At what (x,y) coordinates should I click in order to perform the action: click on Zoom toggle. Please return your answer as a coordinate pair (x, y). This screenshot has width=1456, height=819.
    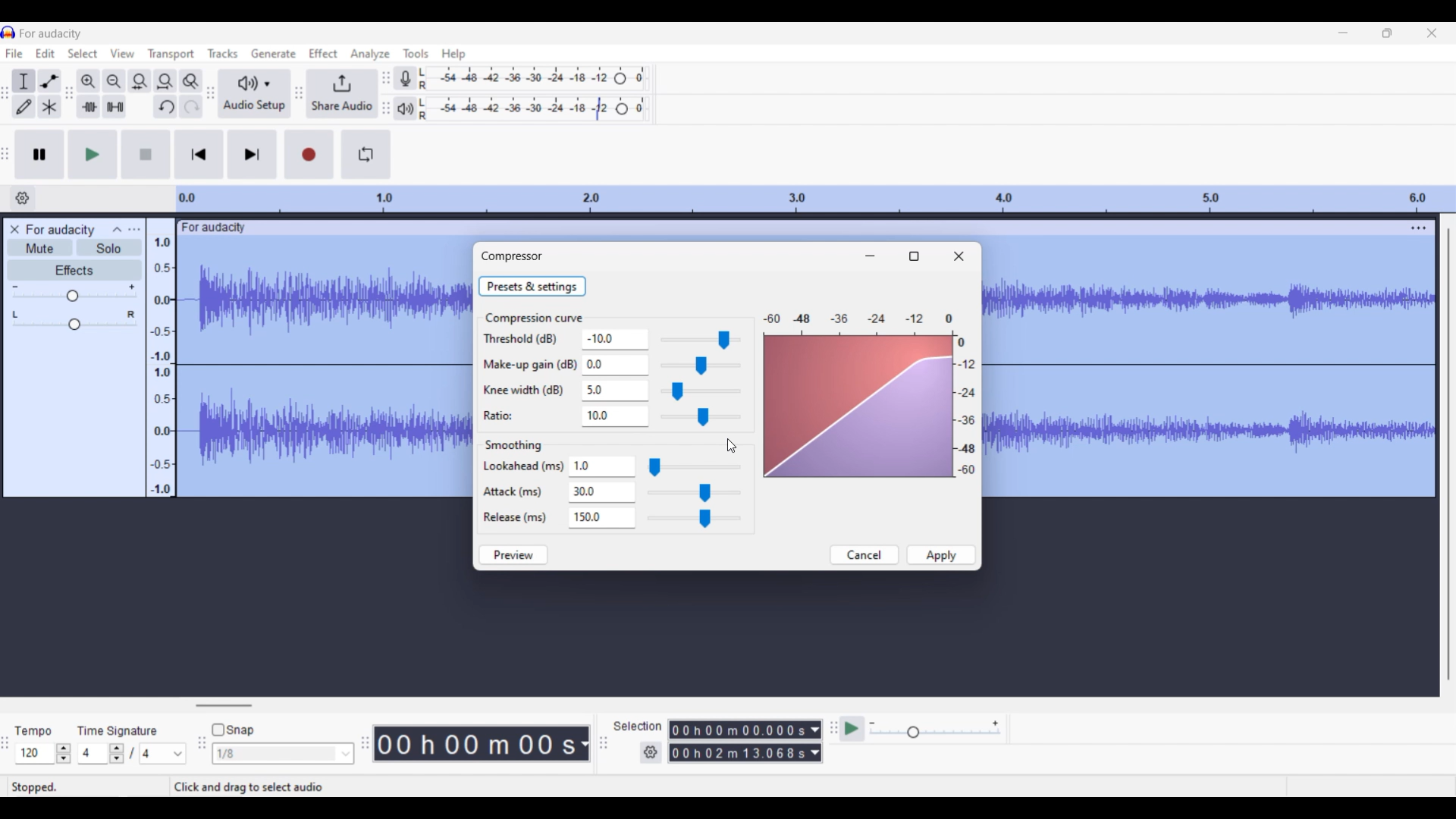
    Looking at the image, I should click on (190, 80).